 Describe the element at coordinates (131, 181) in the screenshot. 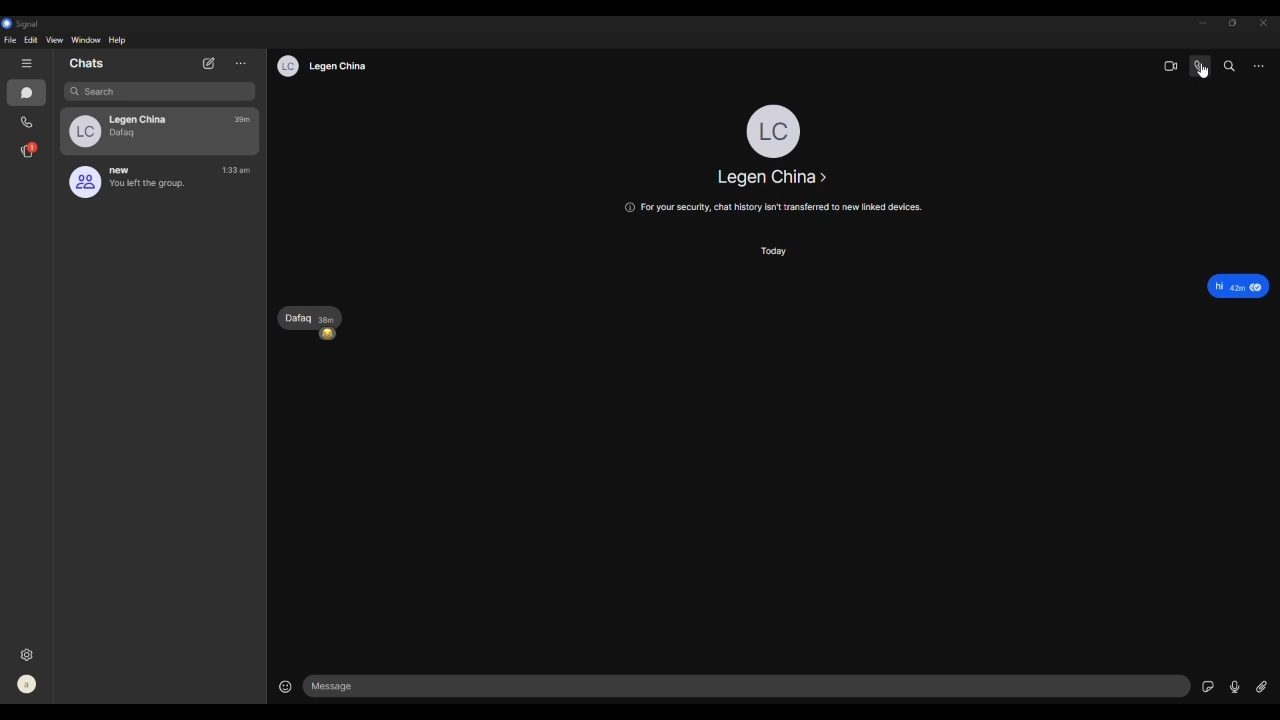

I see `group` at that location.